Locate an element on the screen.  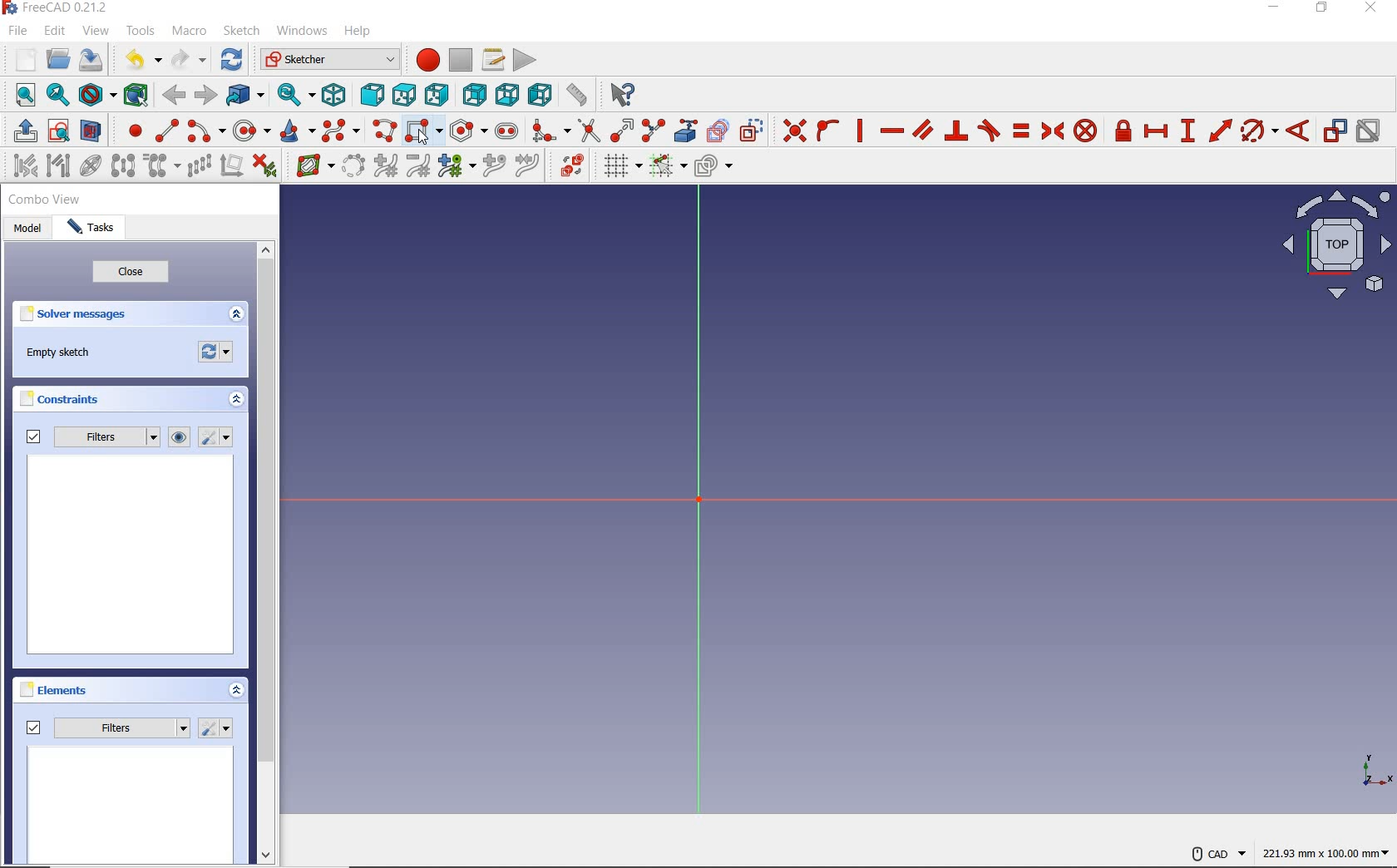
preview is located at coordinates (132, 557).